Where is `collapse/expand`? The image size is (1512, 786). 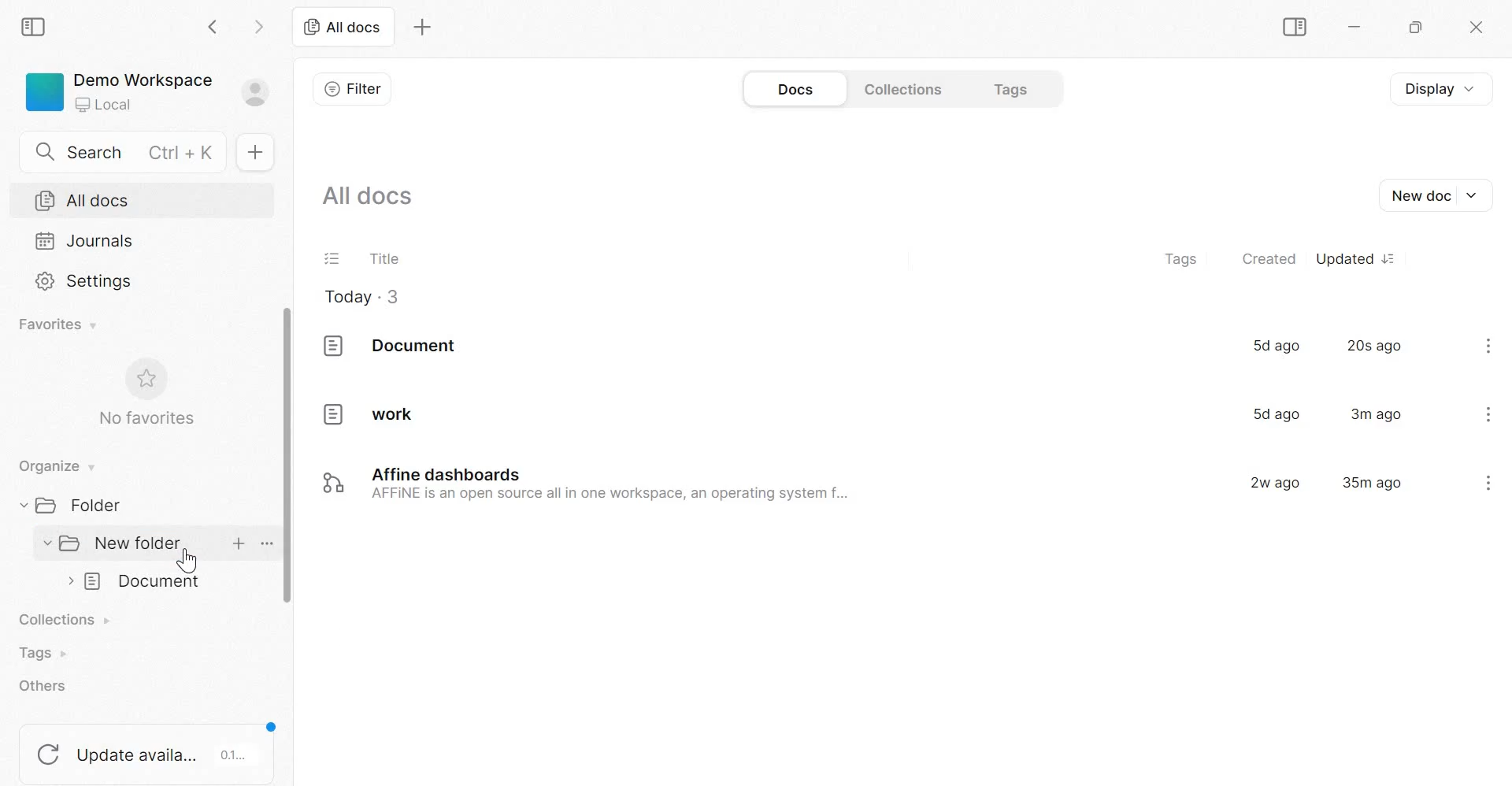
collapse/expand is located at coordinates (20, 506).